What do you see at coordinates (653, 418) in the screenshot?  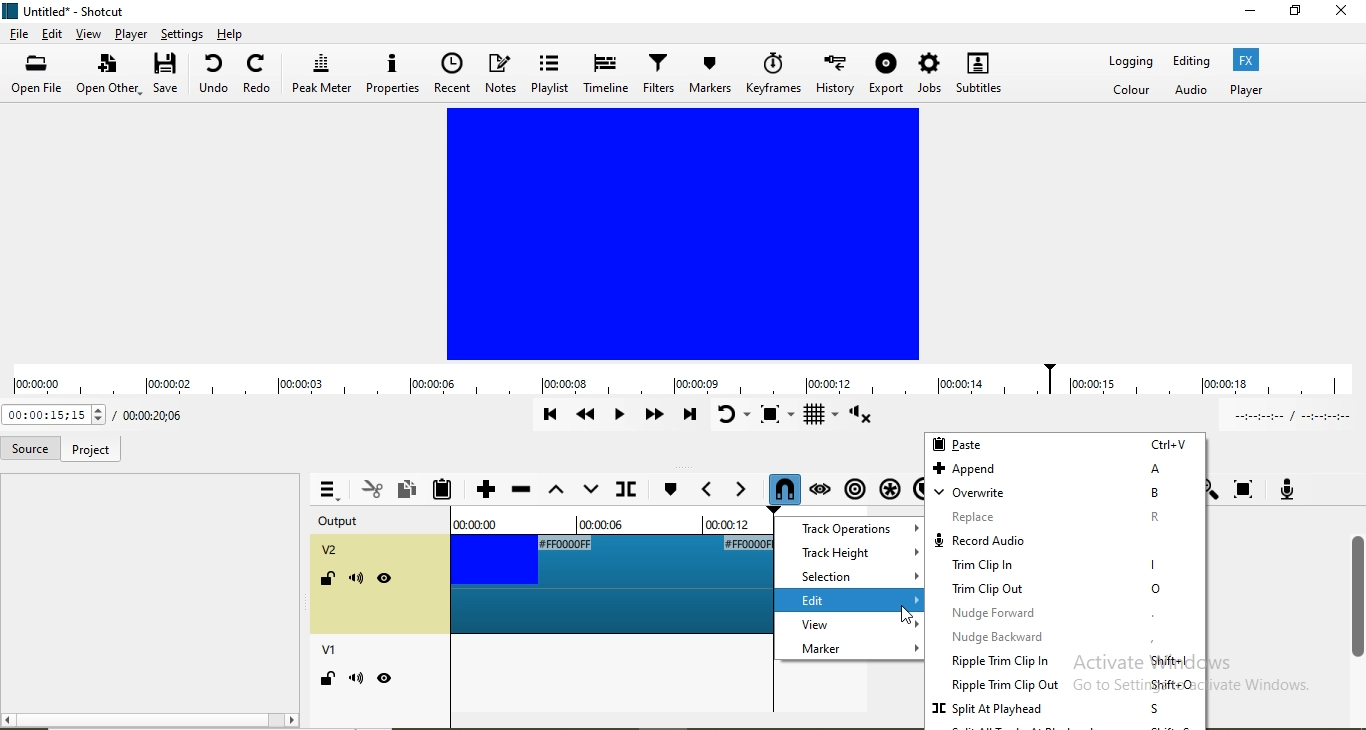 I see `Play quickly forward` at bounding box center [653, 418].